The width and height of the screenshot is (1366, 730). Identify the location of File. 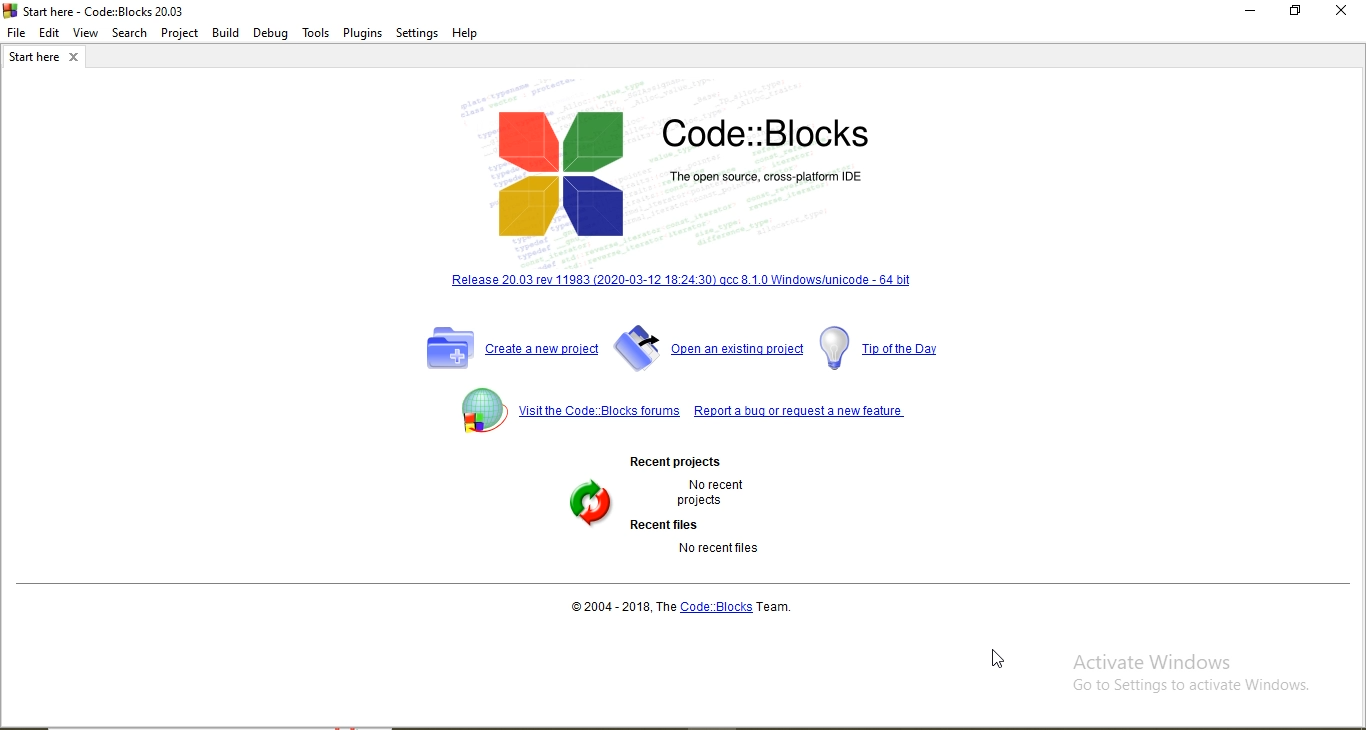
(15, 32).